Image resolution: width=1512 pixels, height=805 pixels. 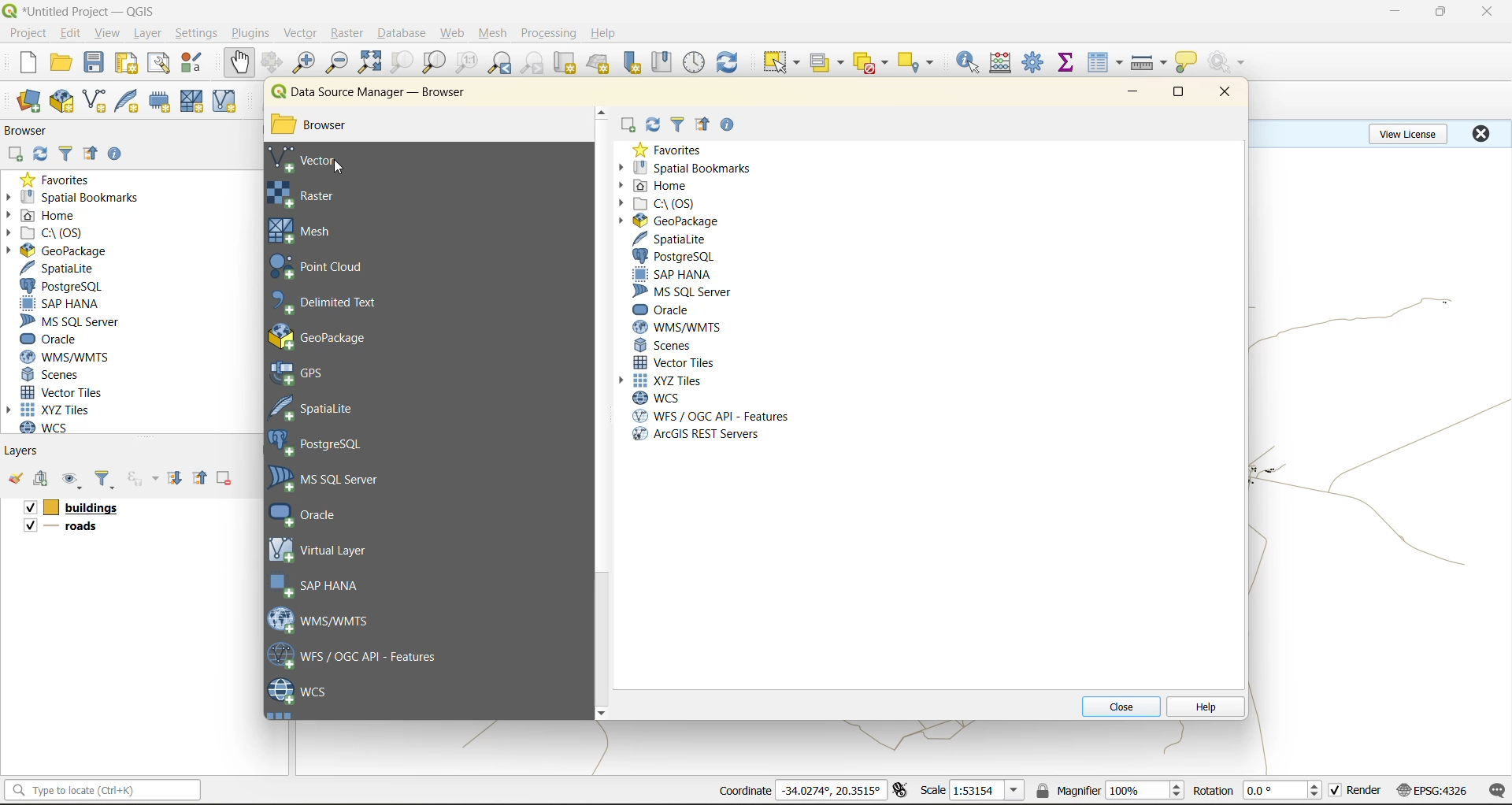 I want to click on refresh, so click(x=728, y=65).